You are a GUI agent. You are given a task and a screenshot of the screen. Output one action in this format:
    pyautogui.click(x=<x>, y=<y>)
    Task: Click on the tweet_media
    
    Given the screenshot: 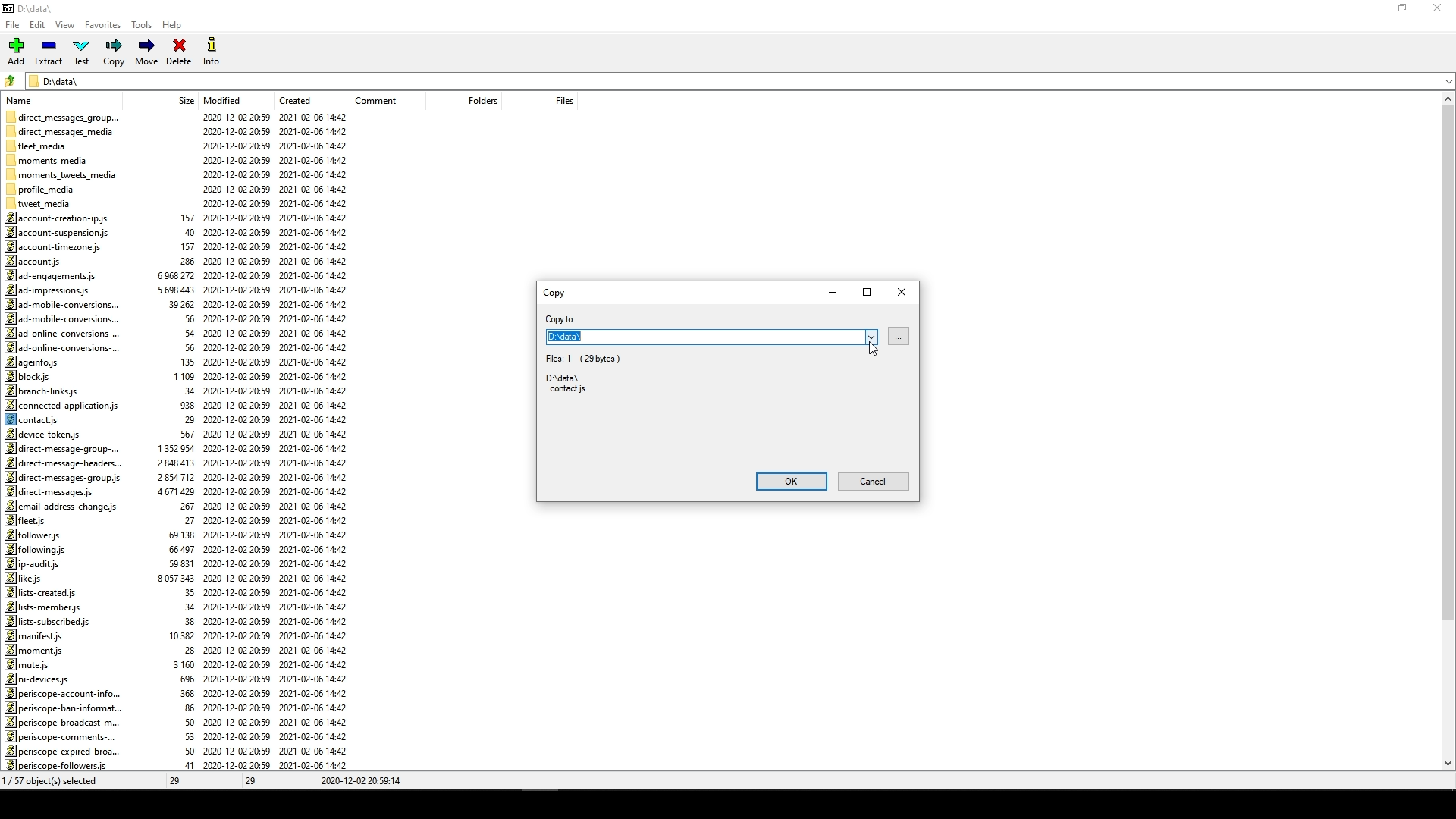 What is the action you would take?
    pyautogui.click(x=47, y=203)
    